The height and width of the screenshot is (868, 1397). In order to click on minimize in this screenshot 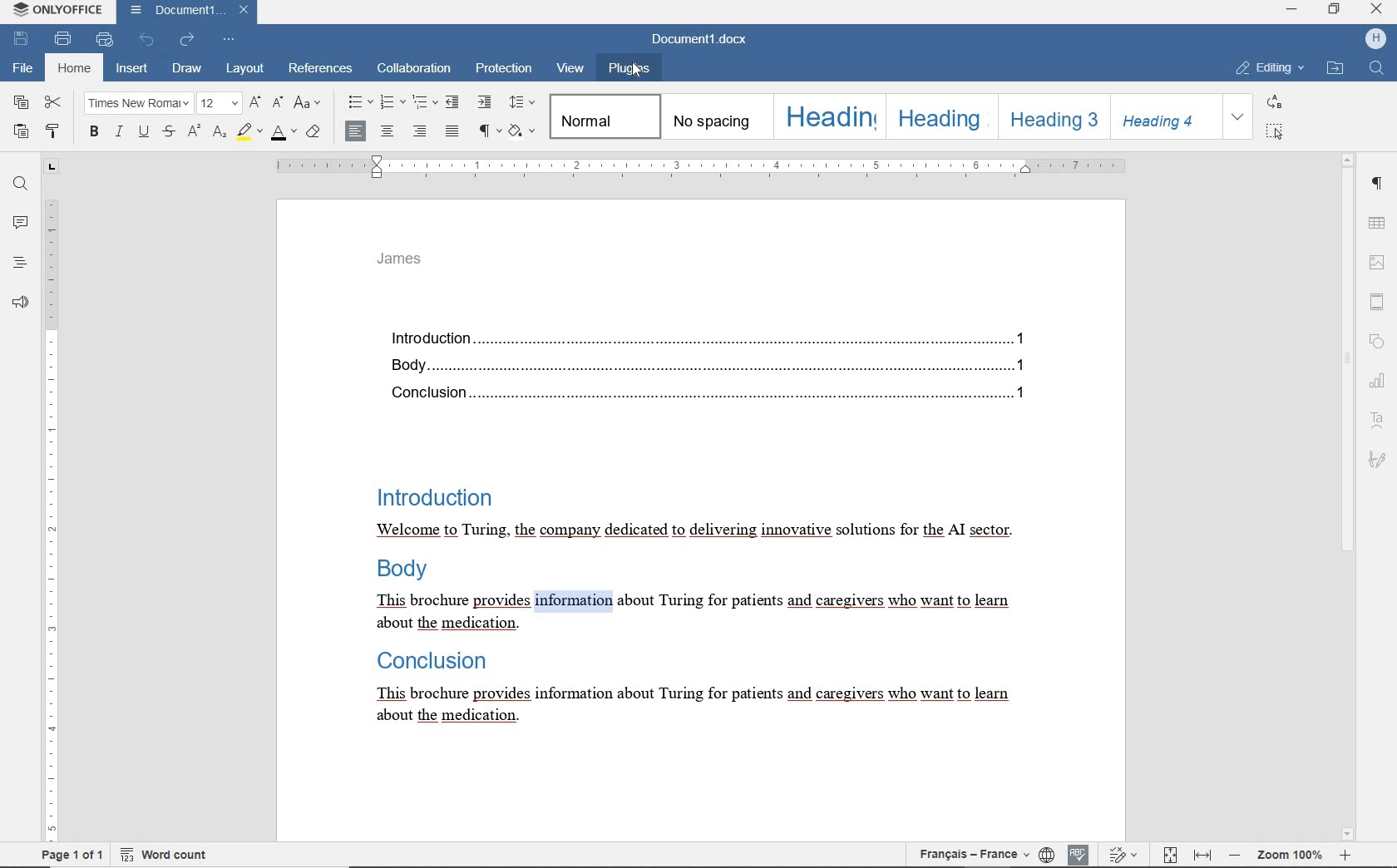, I will do `click(1291, 13)`.